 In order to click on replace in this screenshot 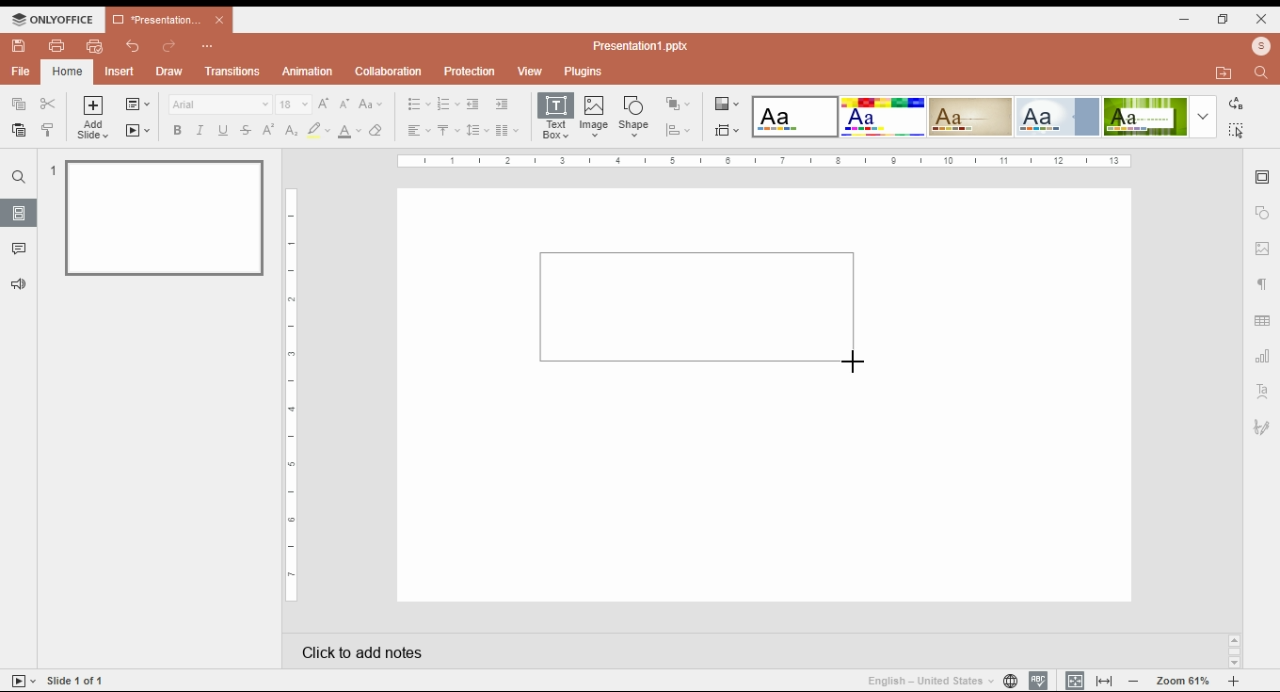, I will do `click(1237, 102)`.